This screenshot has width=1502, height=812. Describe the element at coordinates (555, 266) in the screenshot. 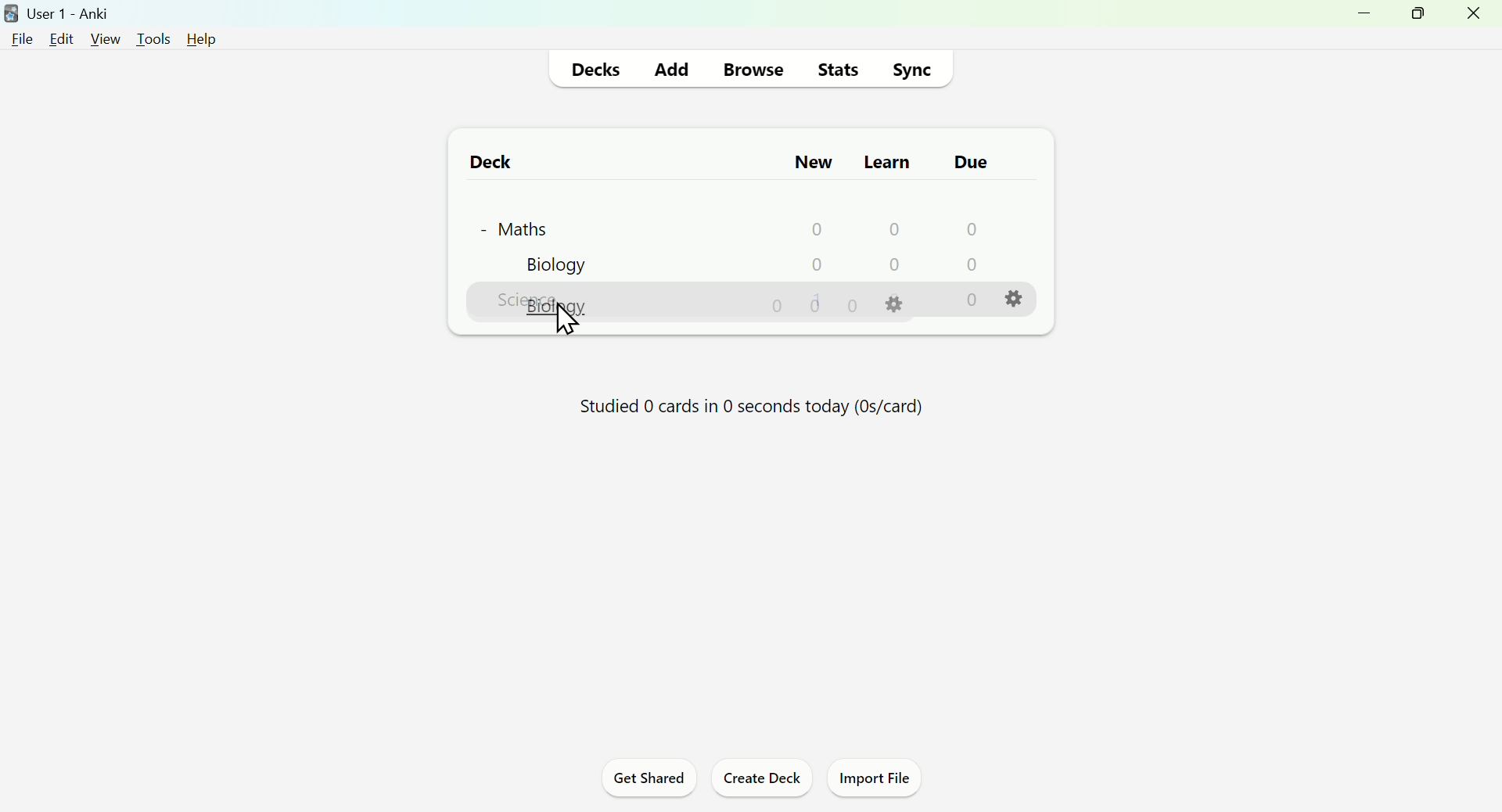

I see `Biology` at that location.